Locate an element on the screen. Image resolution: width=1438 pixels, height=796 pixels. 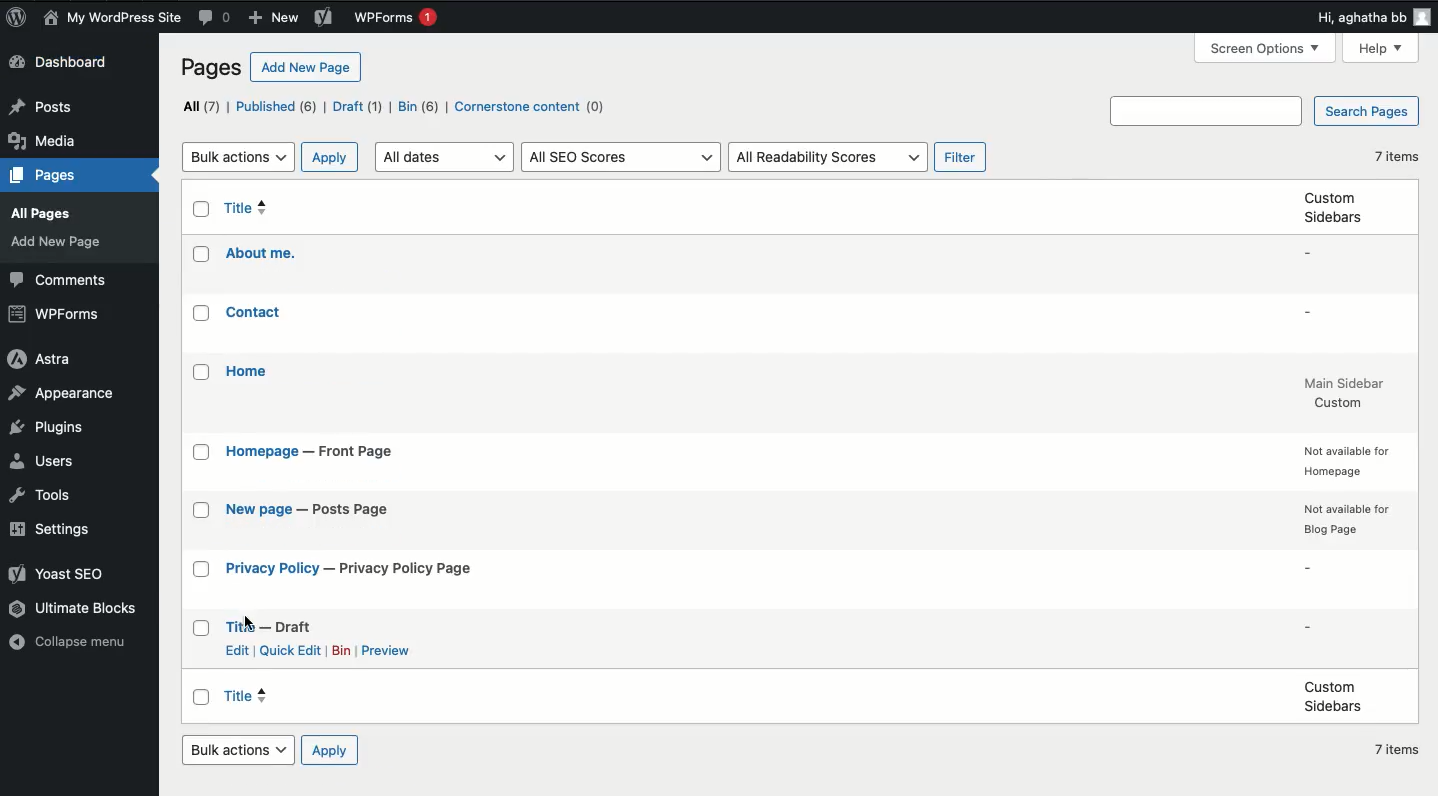
Dashboard is located at coordinates (63, 64).